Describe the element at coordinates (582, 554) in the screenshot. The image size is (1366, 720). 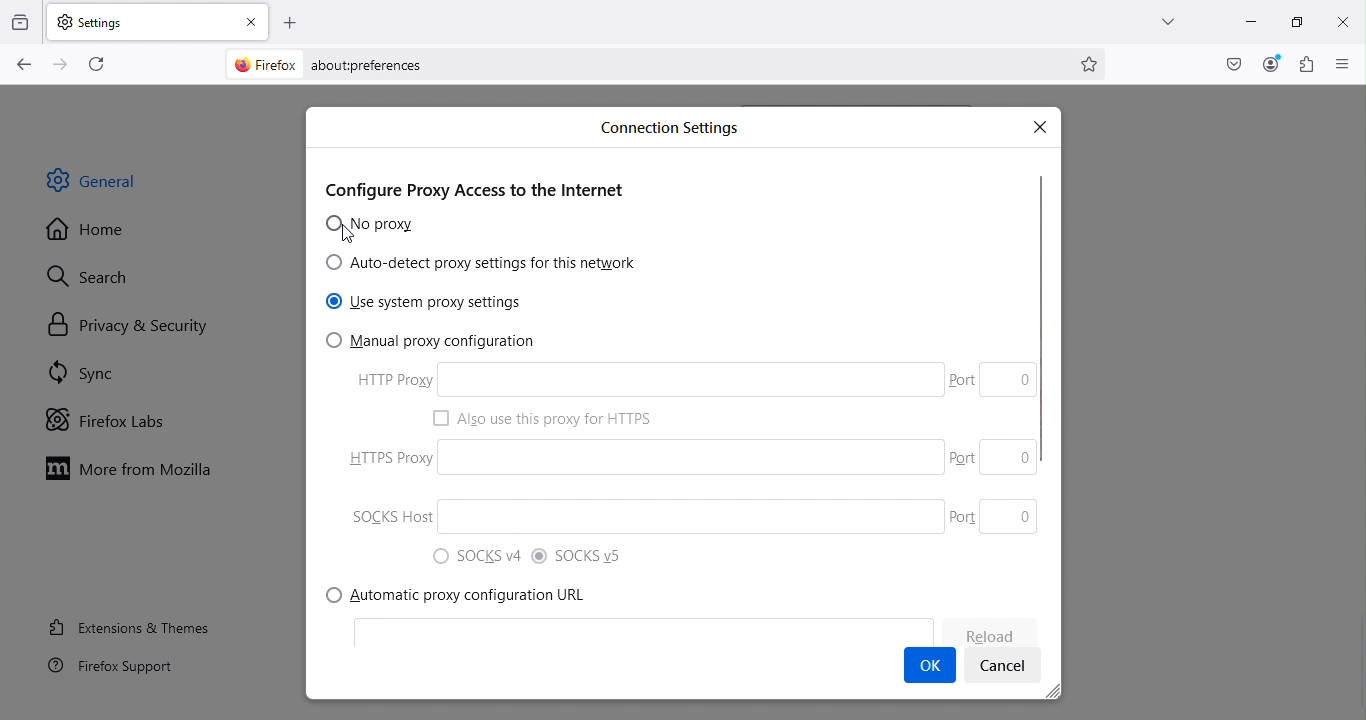
I see `SOCKS v5` at that location.